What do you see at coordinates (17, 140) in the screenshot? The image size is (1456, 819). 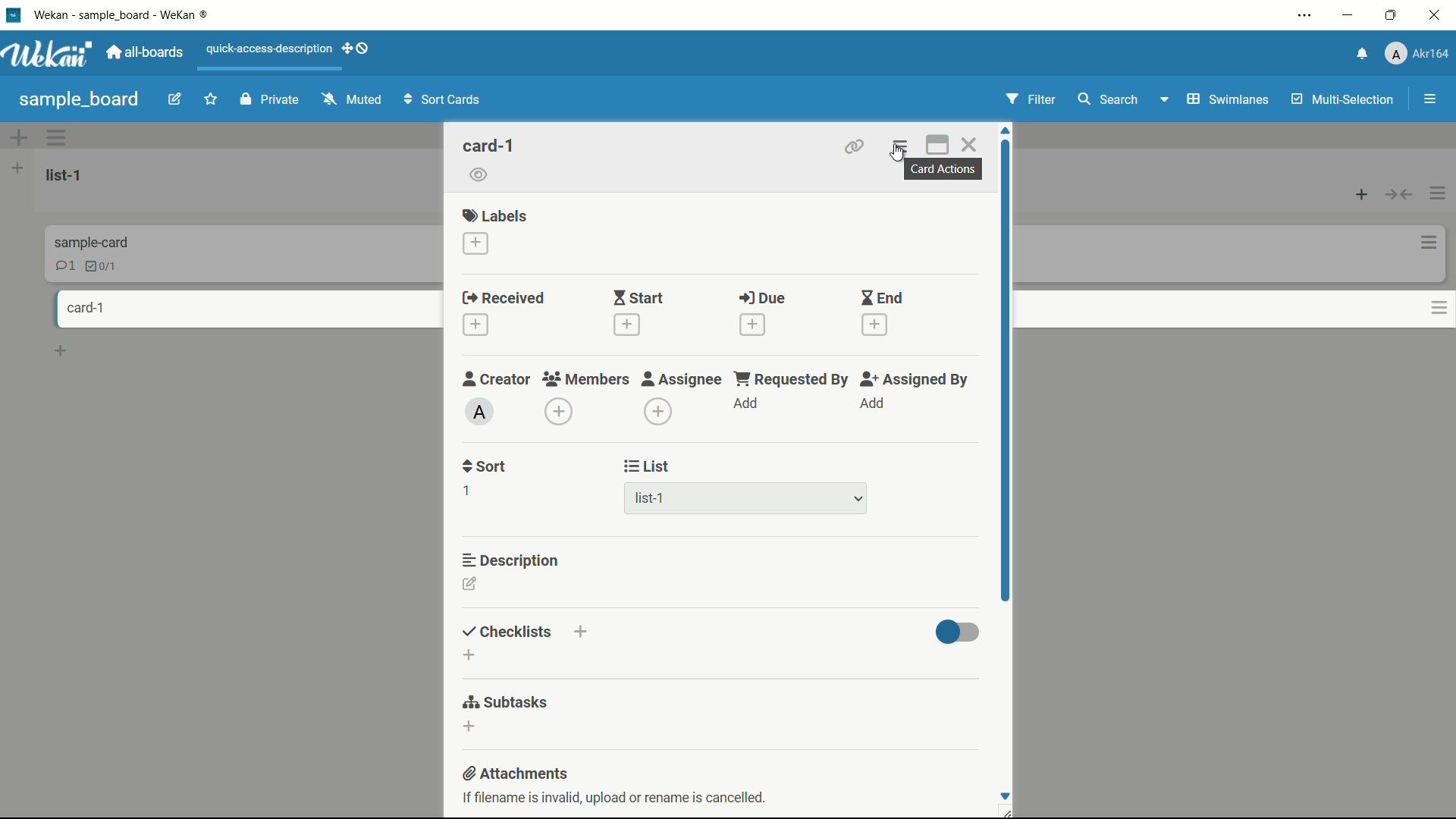 I see `add swimlane` at bounding box center [17, 140].